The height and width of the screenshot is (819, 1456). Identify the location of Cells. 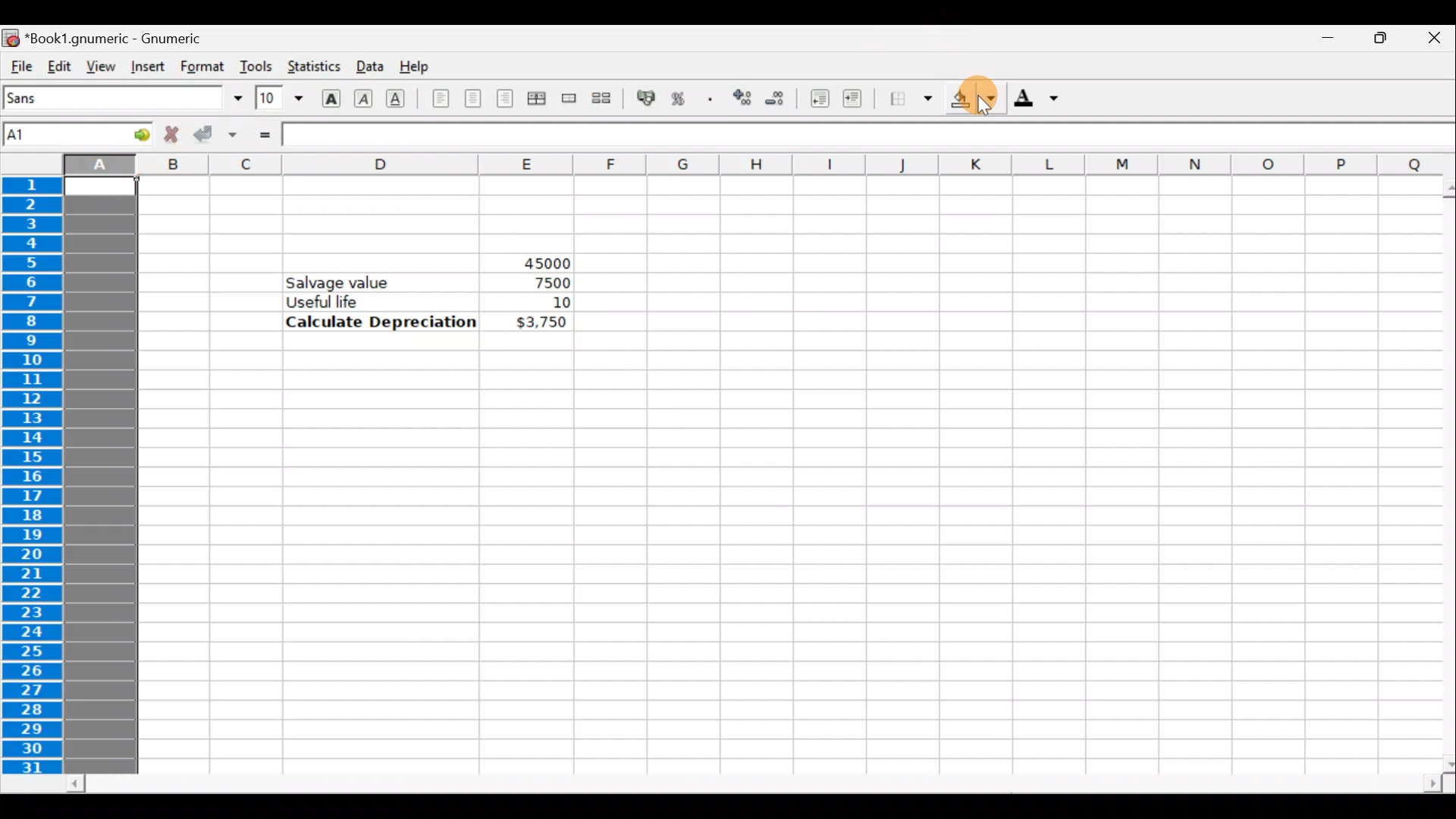
(758, 558).